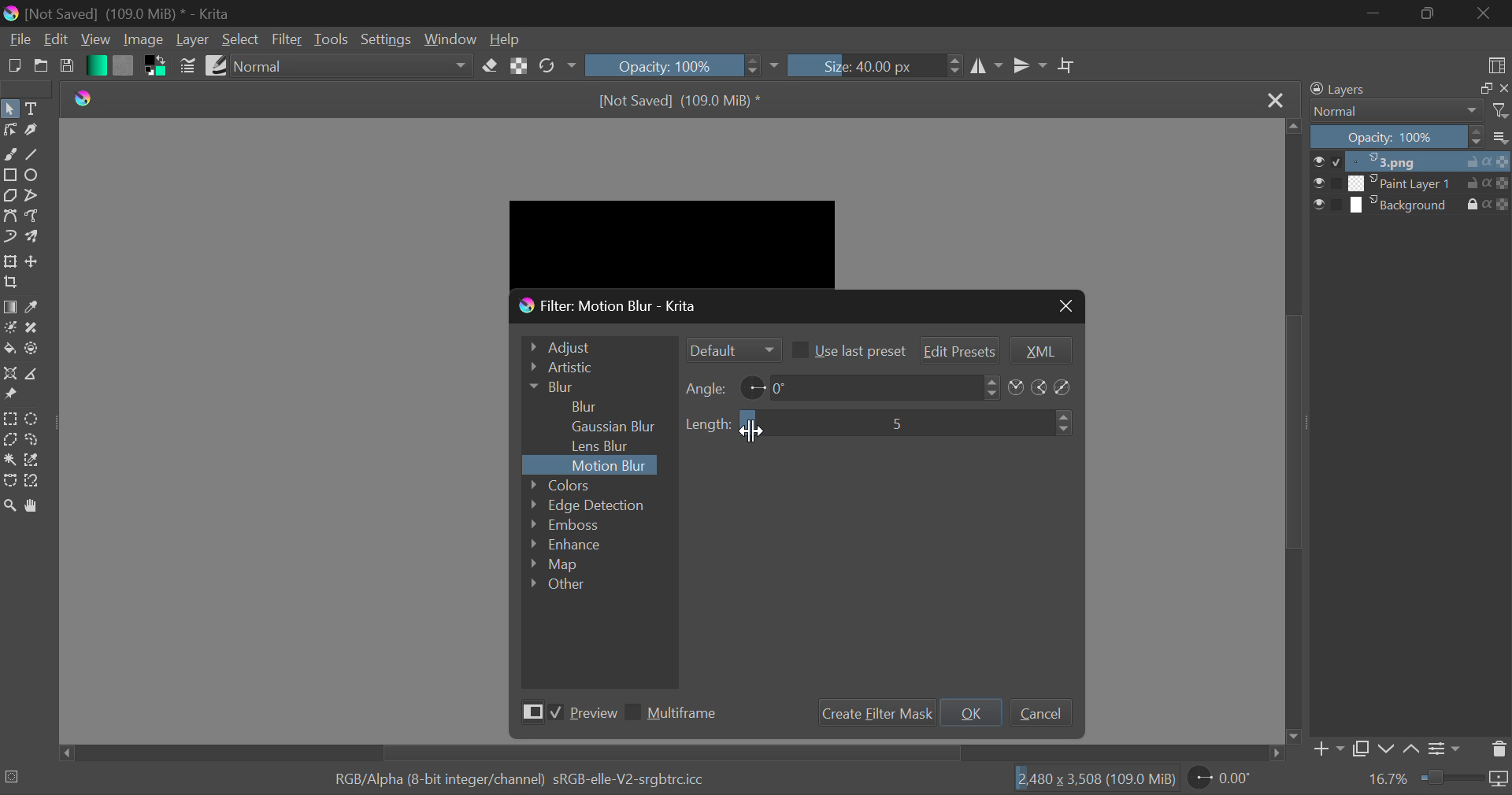 The image size is (1512, 795). What do you see at coordinates (1496, 65) in the screenshot?
I see `Choose Workspace` at bounding box center [1496, 65].